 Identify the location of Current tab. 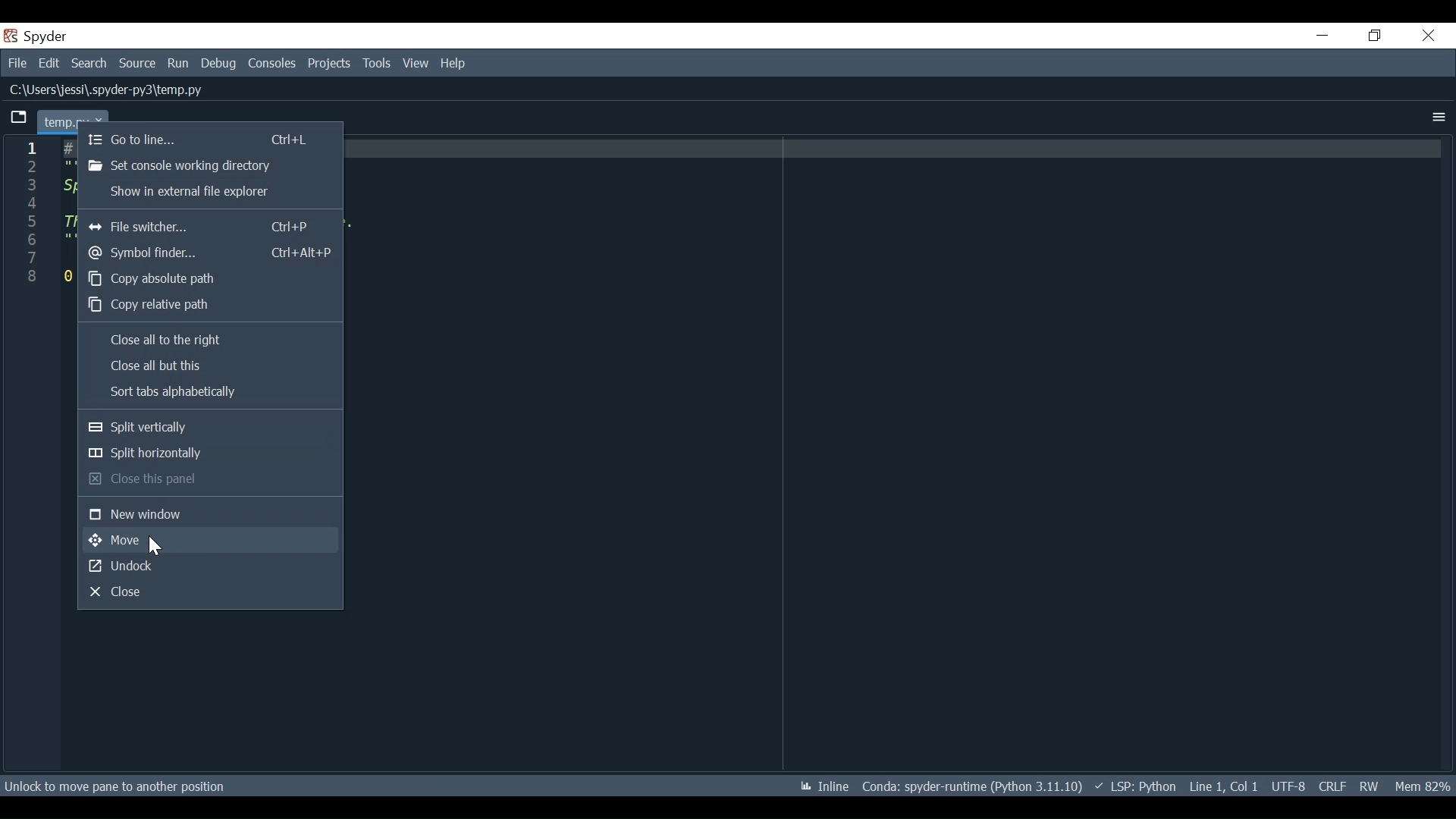
(17, 117).